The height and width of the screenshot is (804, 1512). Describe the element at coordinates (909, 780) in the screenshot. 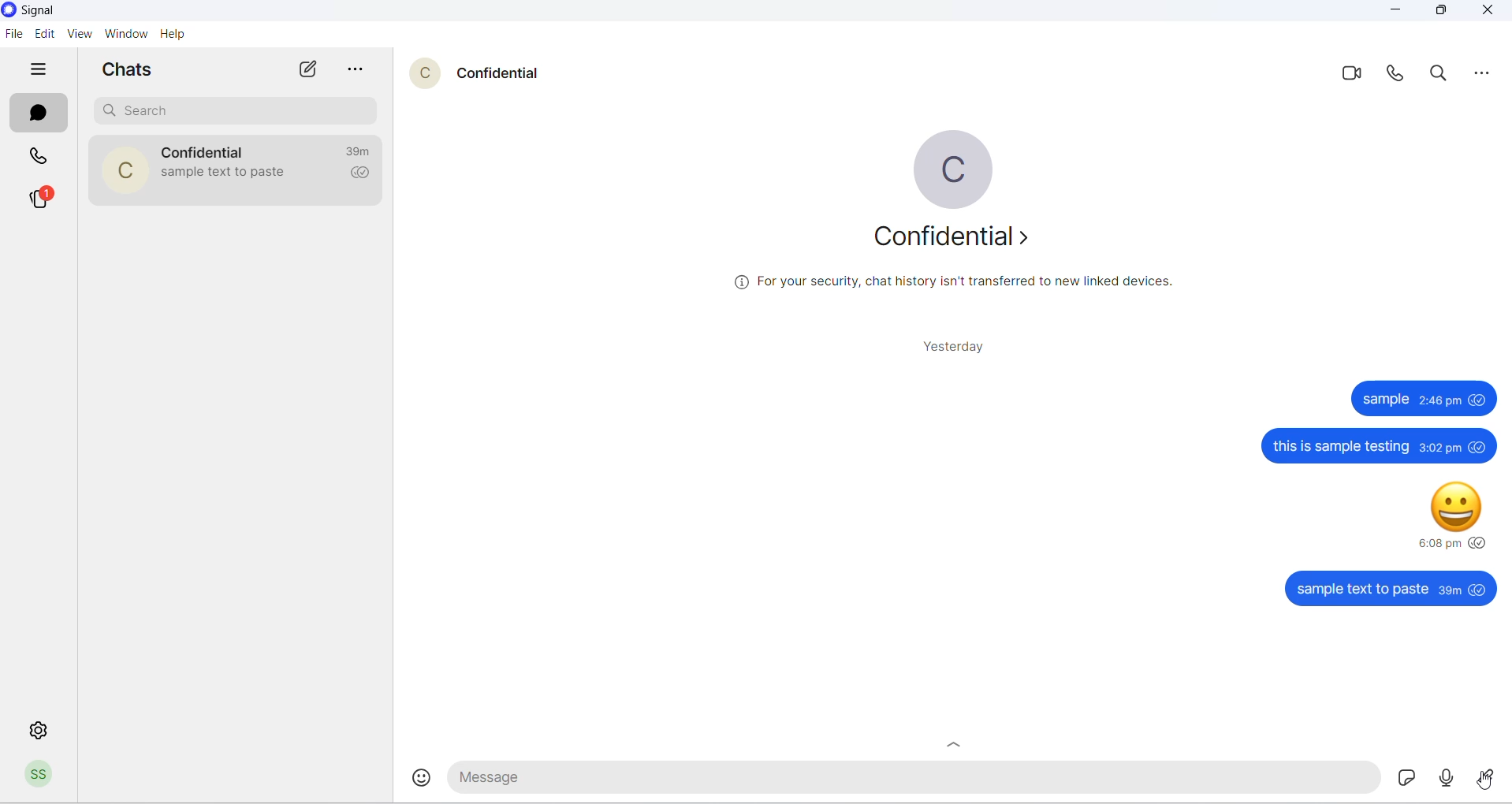

I see `message text area` at that location.